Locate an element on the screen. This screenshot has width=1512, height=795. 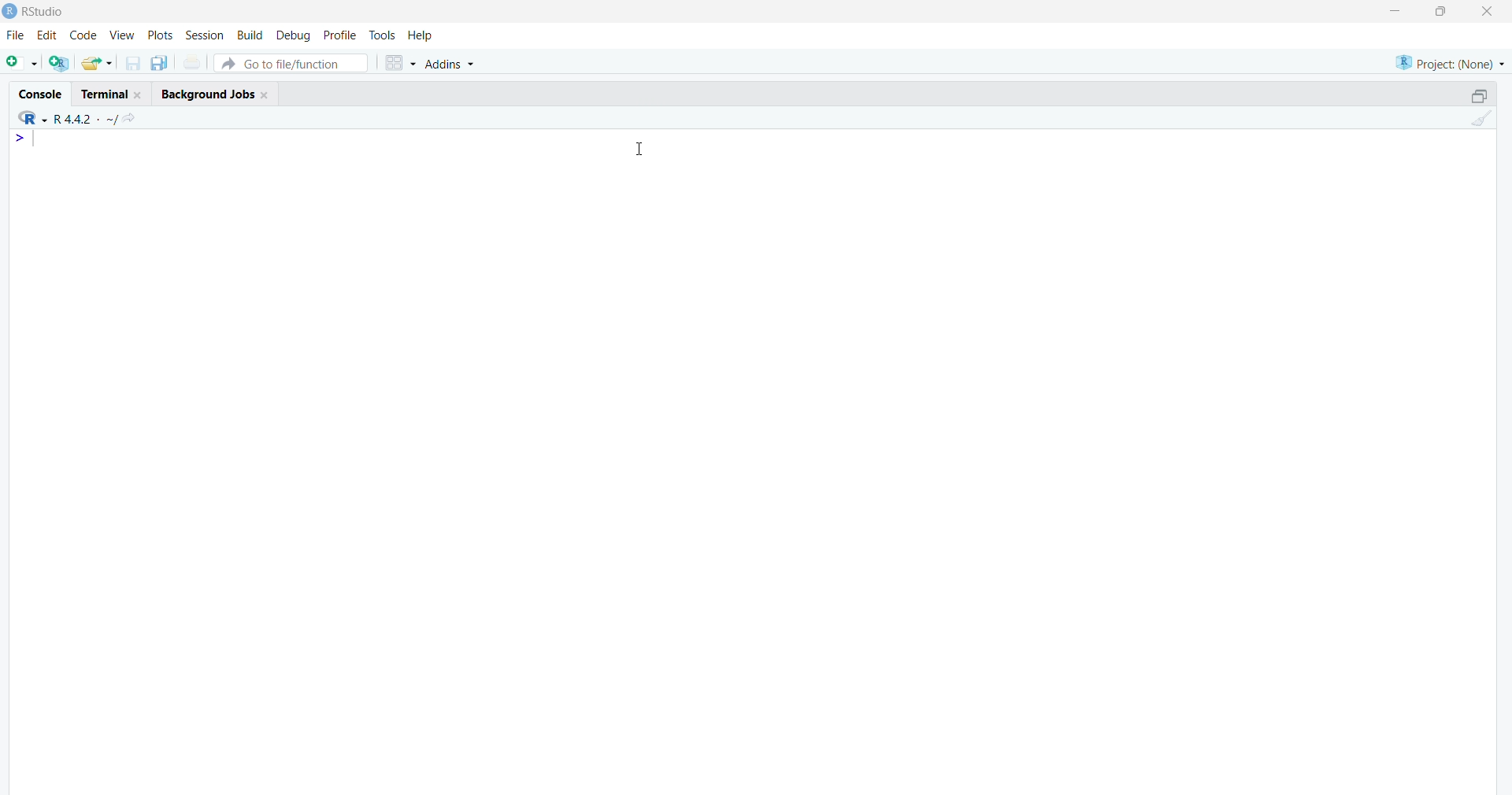
grid view is located at coordinates (399, 62).